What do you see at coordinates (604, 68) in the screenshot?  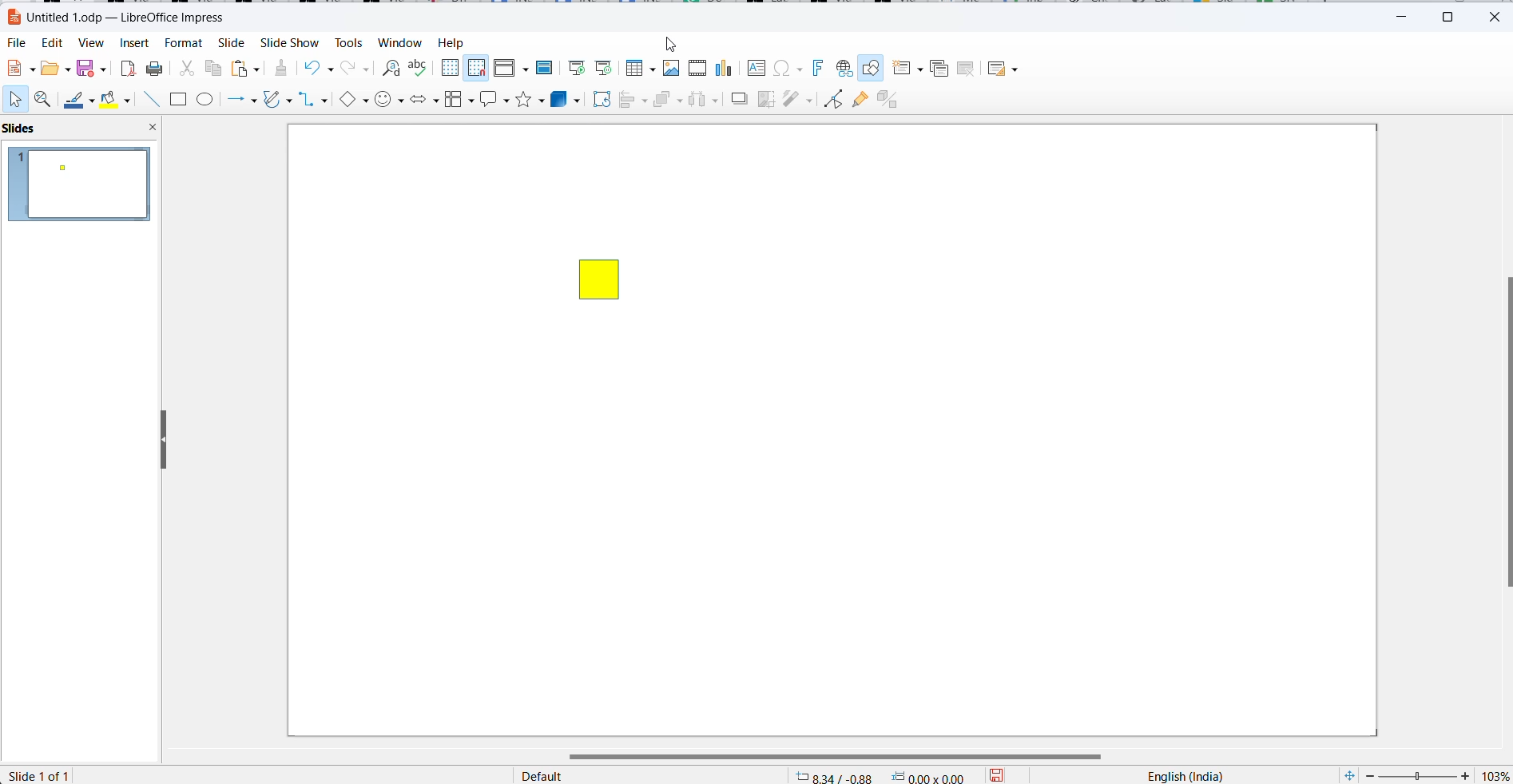 I see `Start from current slide` at bounding box center [604, 68].